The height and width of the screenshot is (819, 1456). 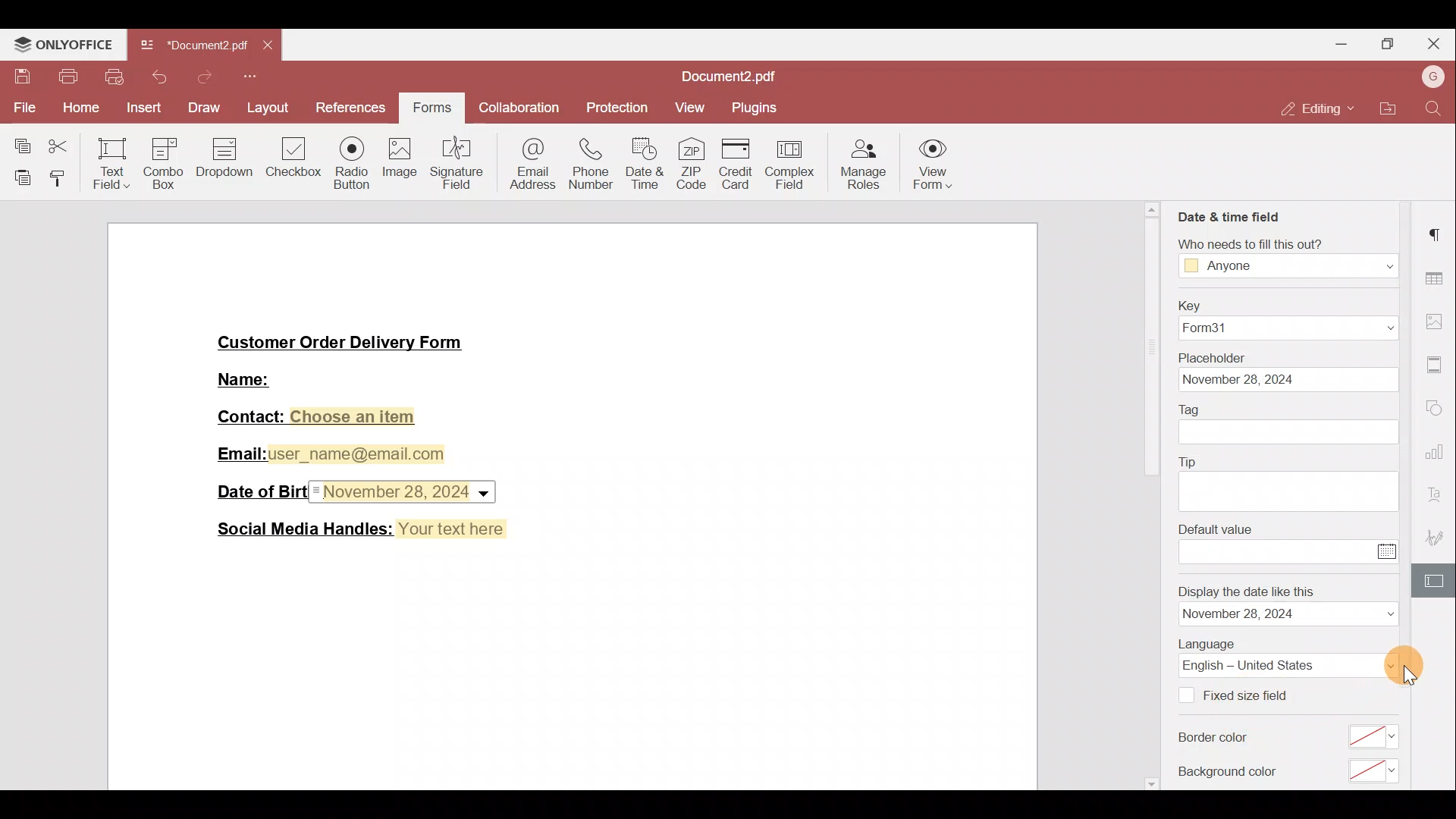 What do you see at coordinates (459, 161) in the screenshot?
I see `Signature field` at bounding box center [459, 161].